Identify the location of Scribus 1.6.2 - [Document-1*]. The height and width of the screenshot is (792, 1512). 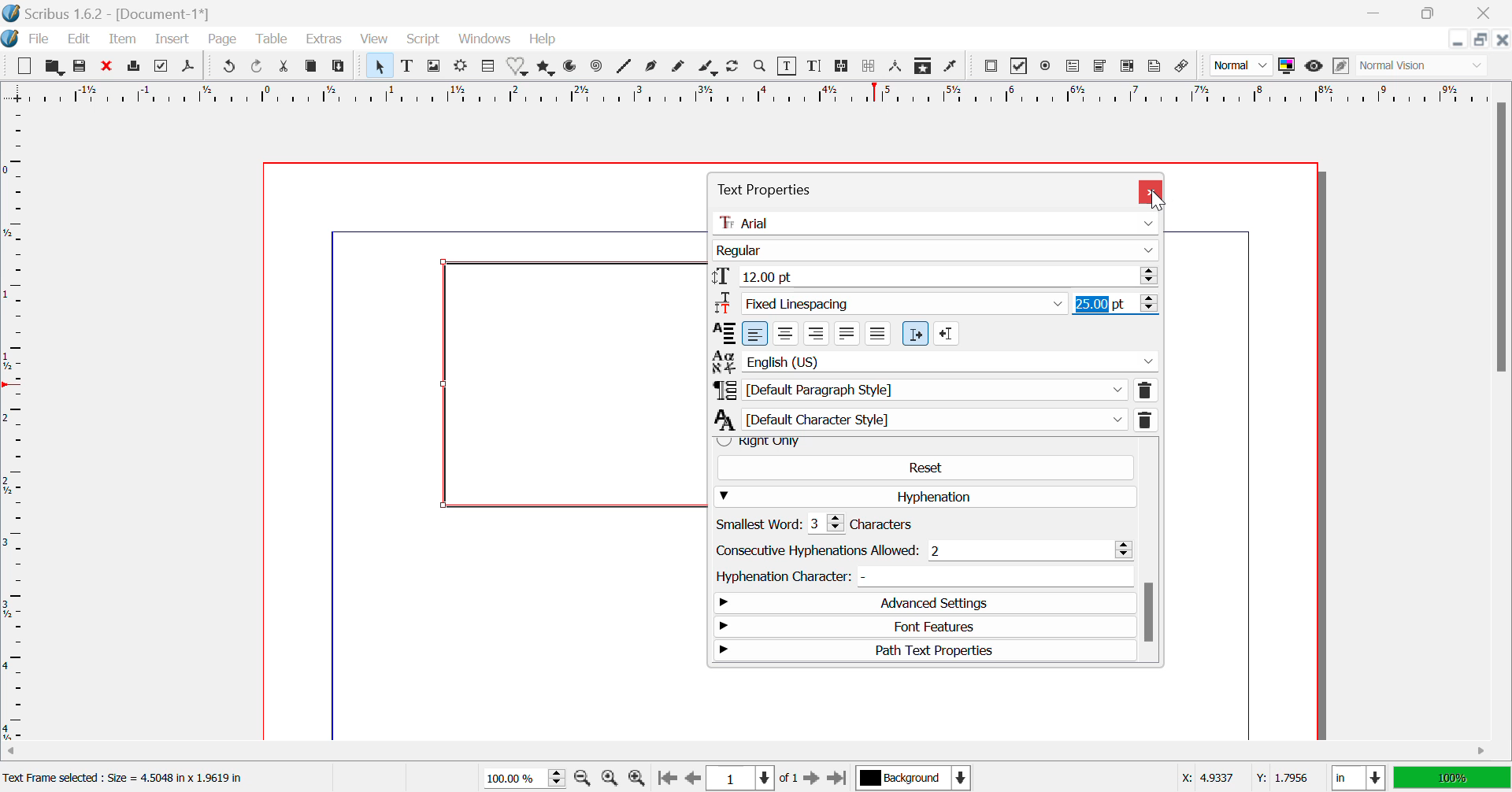
(153, 12).